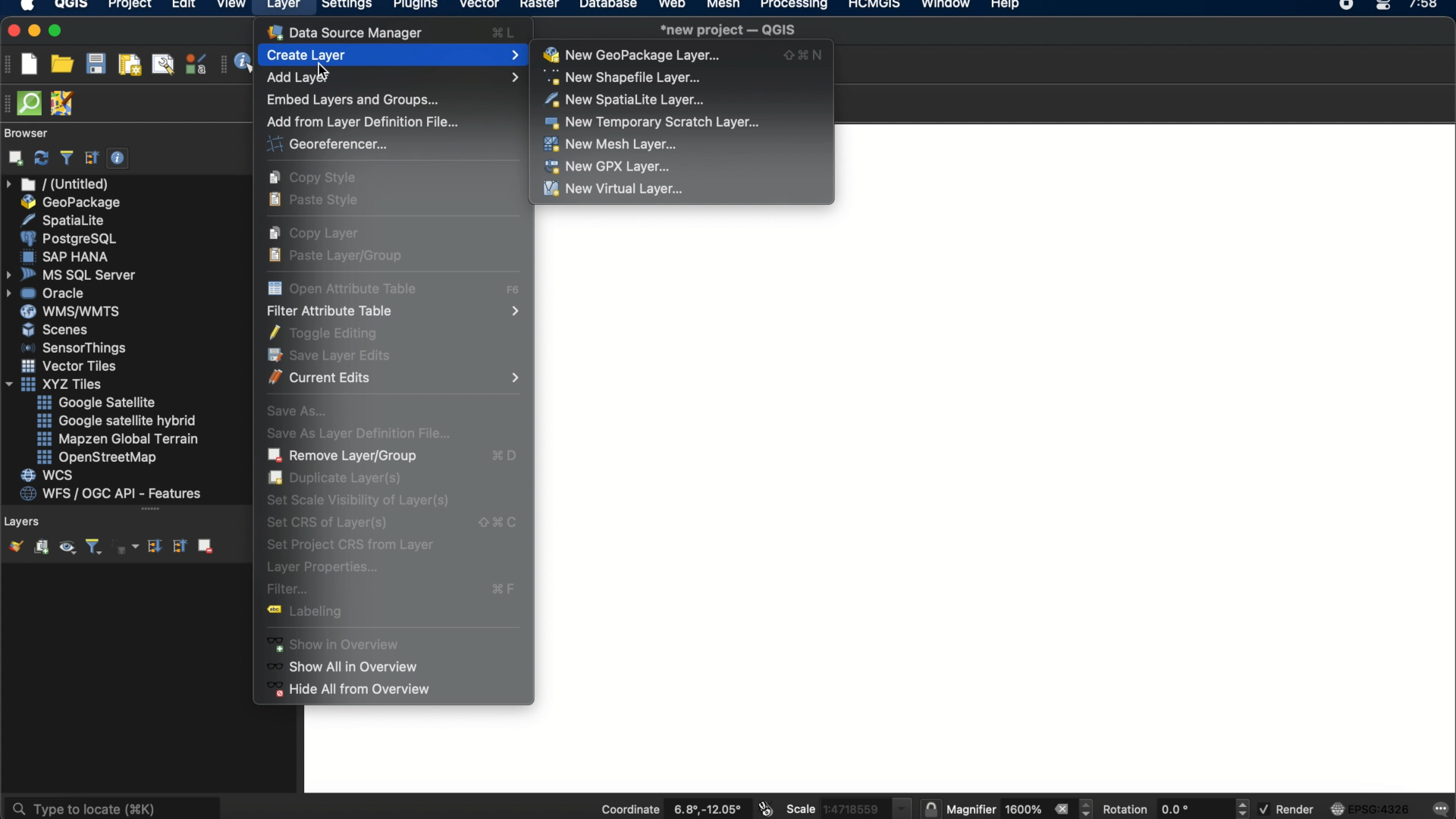 This screenshot has height=819, width=1456. What do you see at coordinates (346, 7) in the screenshot?
I see `settings` at bounding box center [346, 7].